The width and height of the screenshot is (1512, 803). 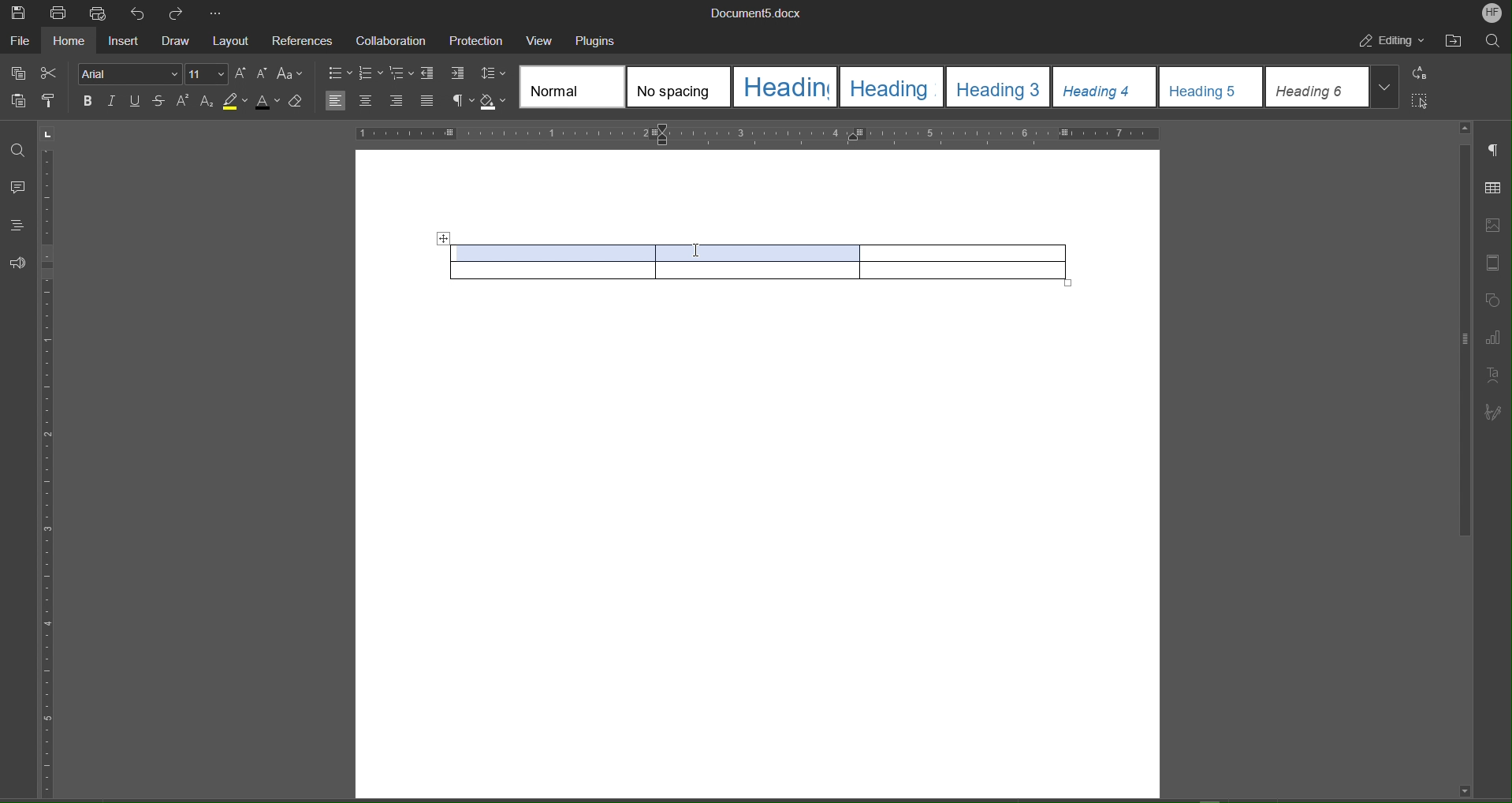 I want to click on heading 4, so click(x=1105, y=87).